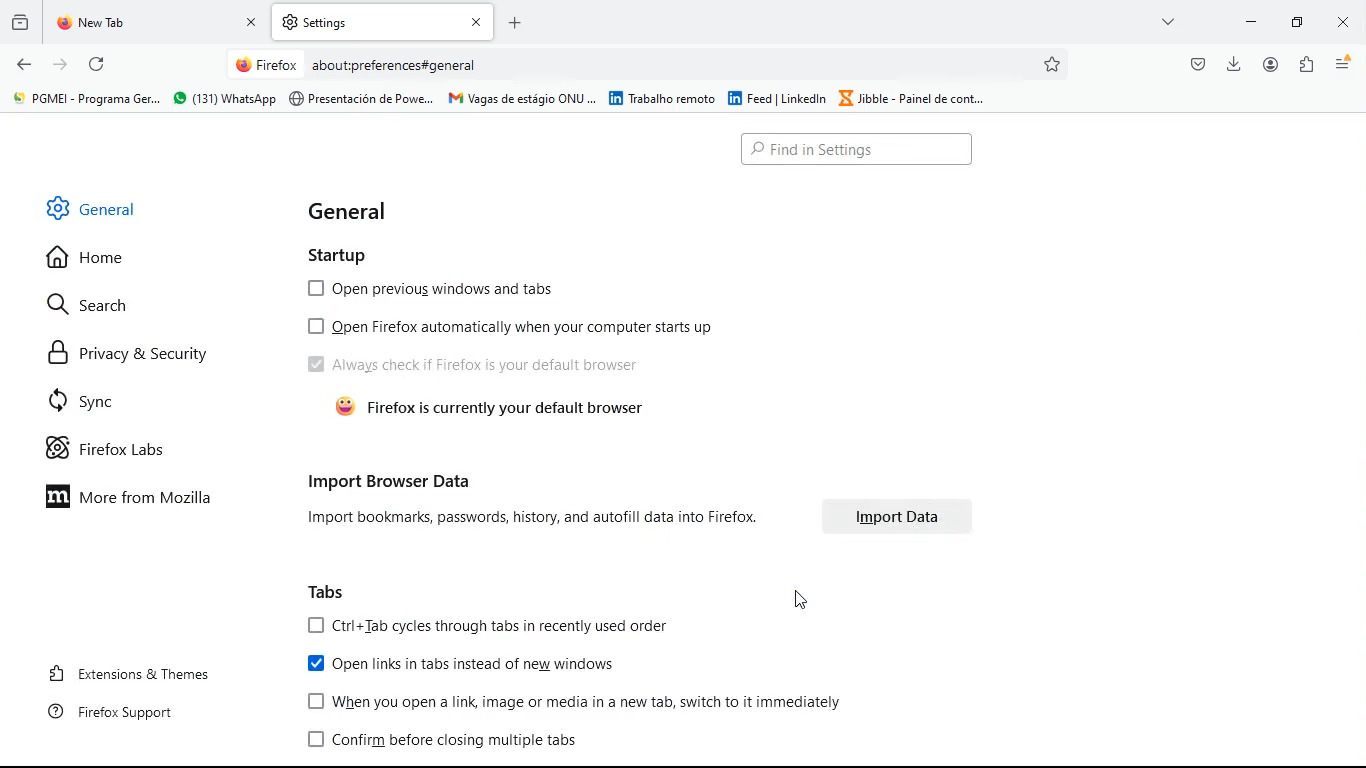 This screenshot has width=1366, height=768. What do you see at coordinates (108, 263) in the screenshot?
I see `home` at bounding box center [108, 263].